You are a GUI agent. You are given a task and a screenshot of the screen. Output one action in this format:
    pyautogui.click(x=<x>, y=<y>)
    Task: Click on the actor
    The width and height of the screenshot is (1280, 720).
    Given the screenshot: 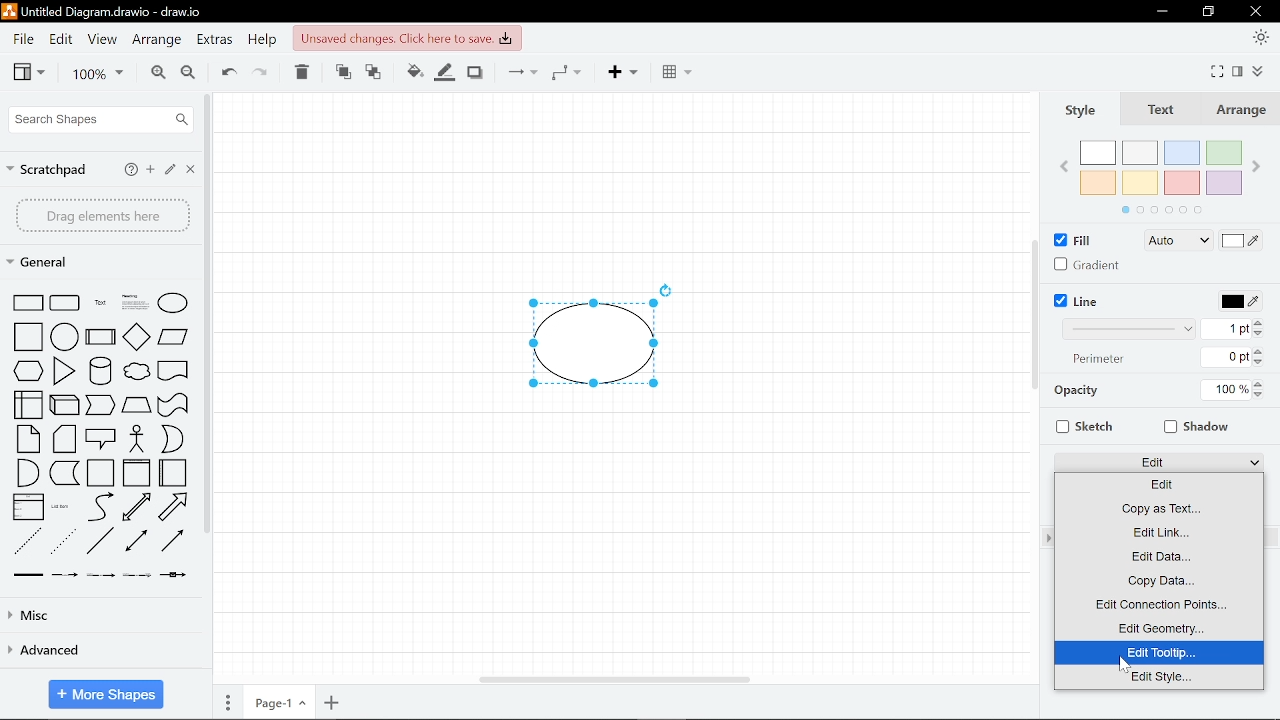 What is the action you would take?
    pyautogui.click(x=137, y=439)
    